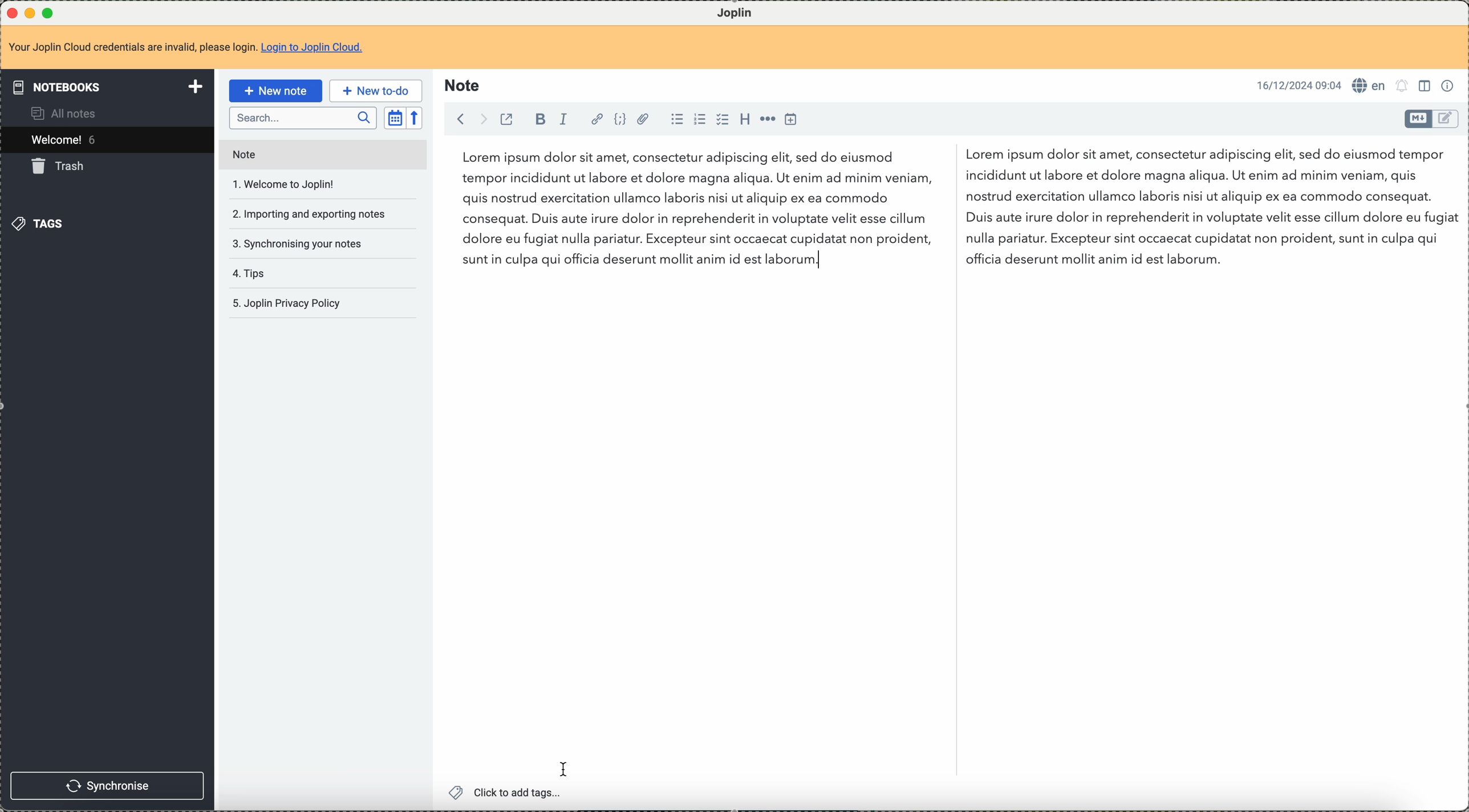 The width and height of the screenshot is (1469, 812). What do you see at coordinates (676, 121) in the screenshot?
I see `bulleted list` at bounding box center [676, 121].